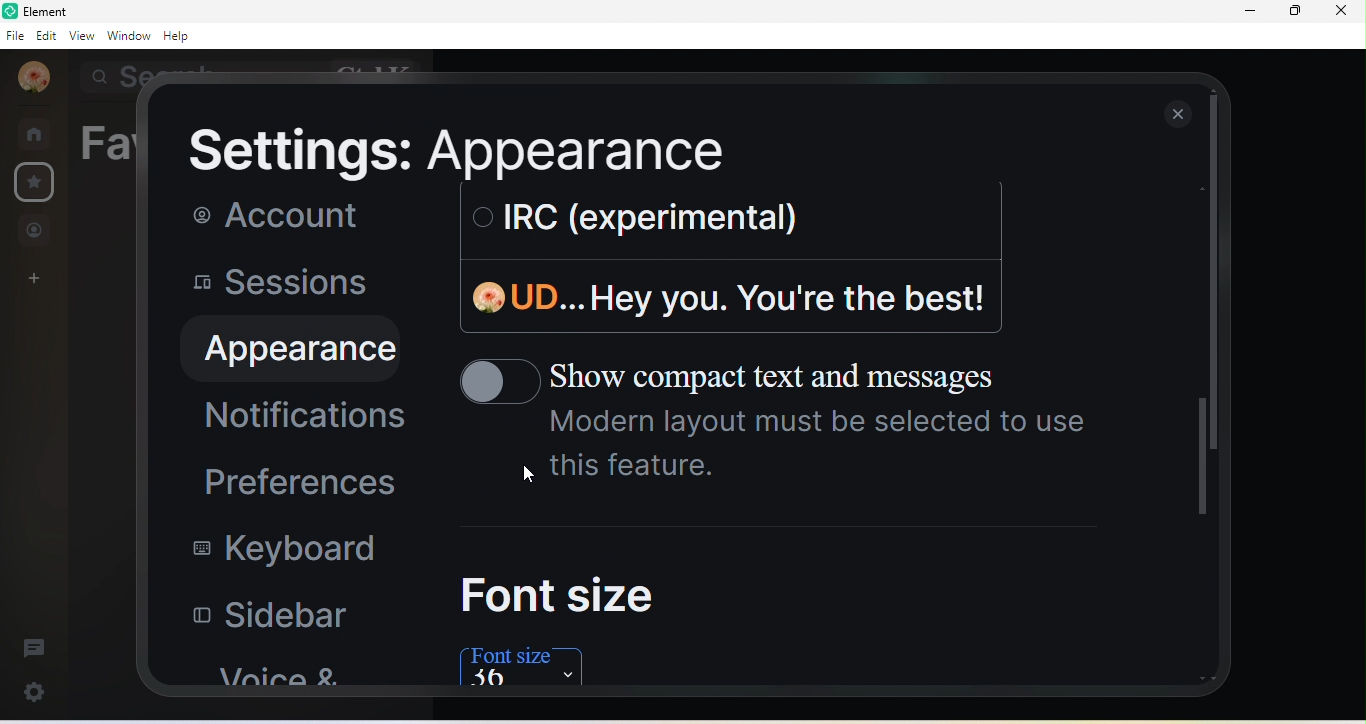  I want to click on notifications, so click(297, 416).